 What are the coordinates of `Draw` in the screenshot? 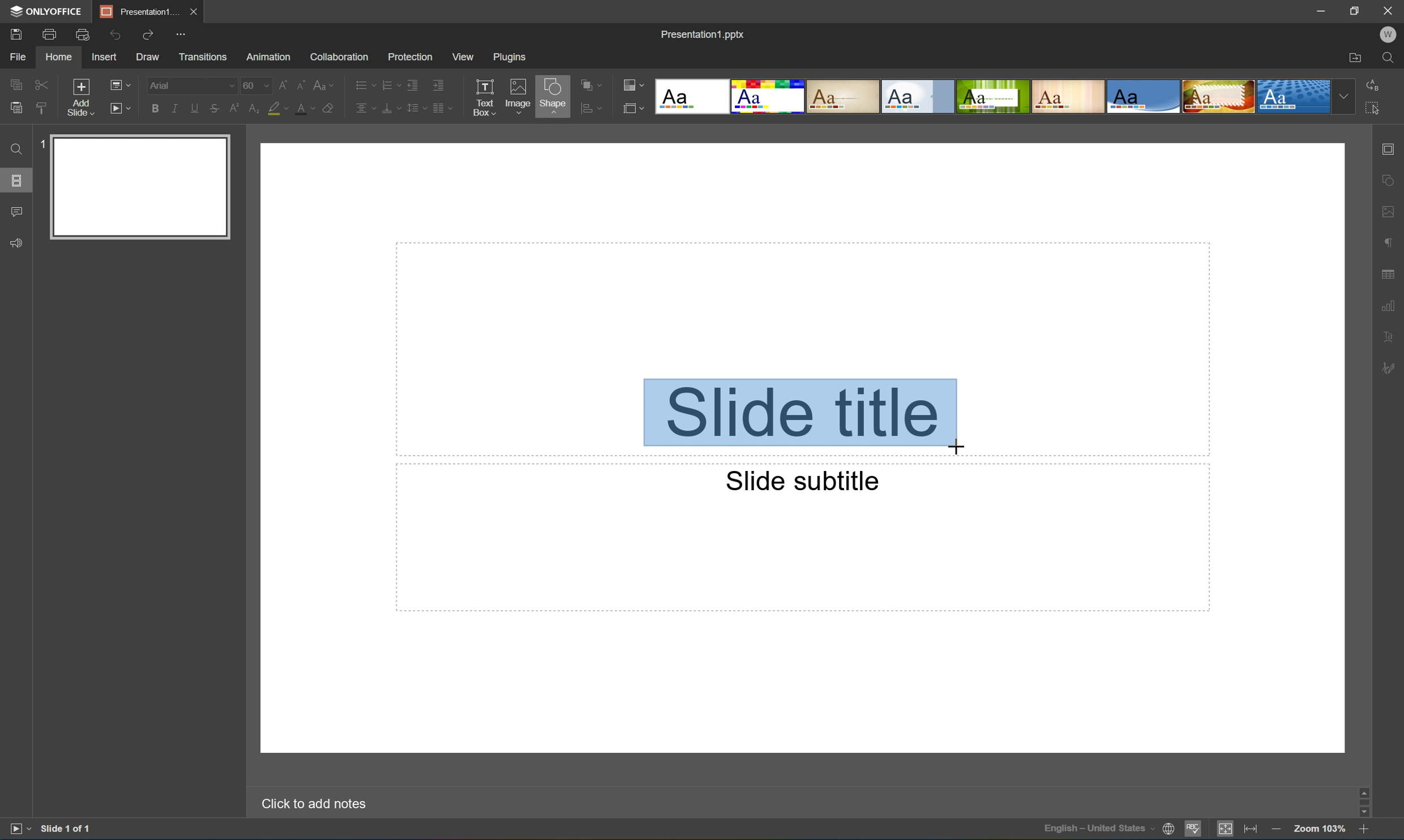 It's located at (149, 58).